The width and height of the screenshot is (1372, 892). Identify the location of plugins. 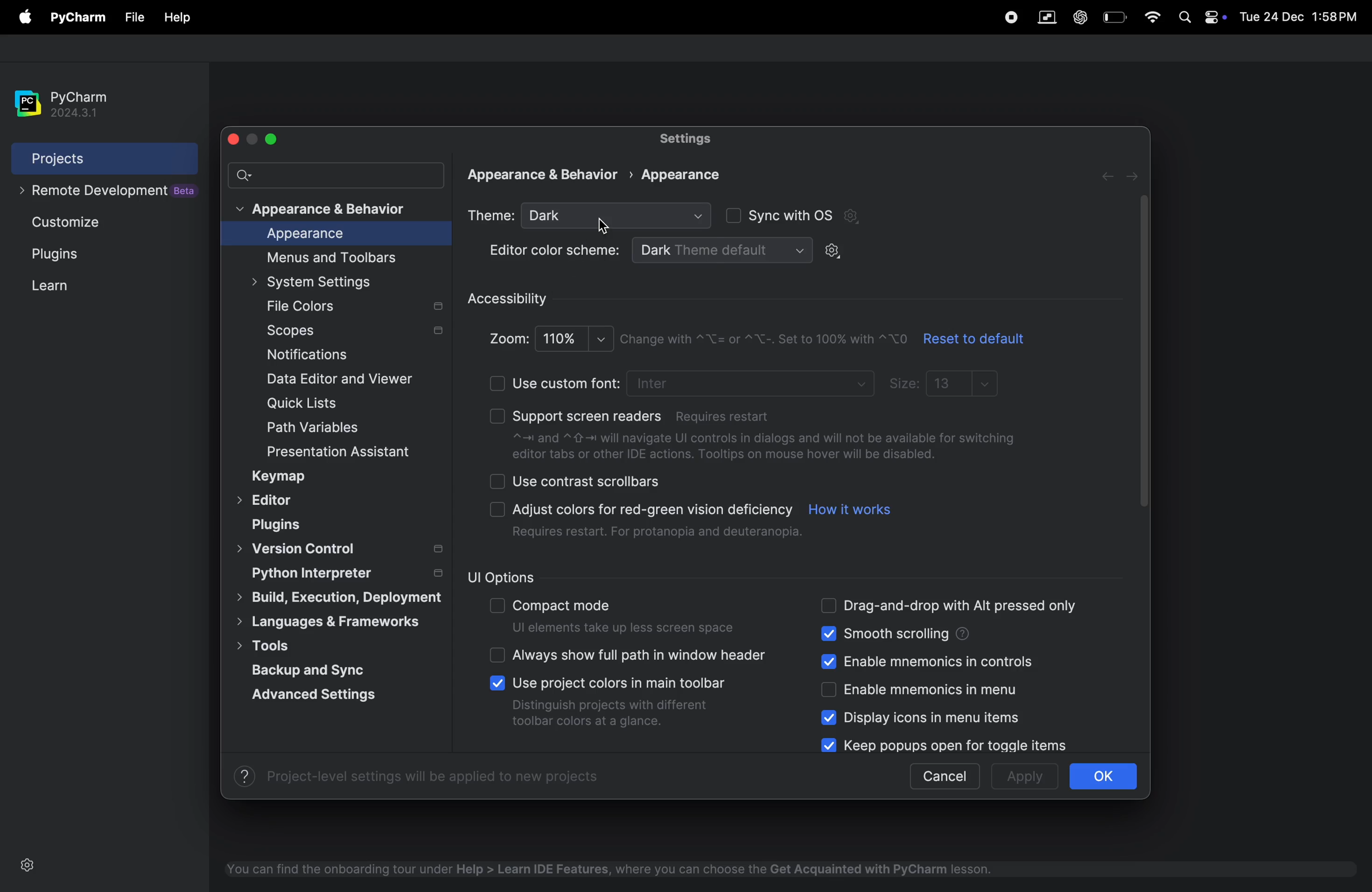
(277, 524).